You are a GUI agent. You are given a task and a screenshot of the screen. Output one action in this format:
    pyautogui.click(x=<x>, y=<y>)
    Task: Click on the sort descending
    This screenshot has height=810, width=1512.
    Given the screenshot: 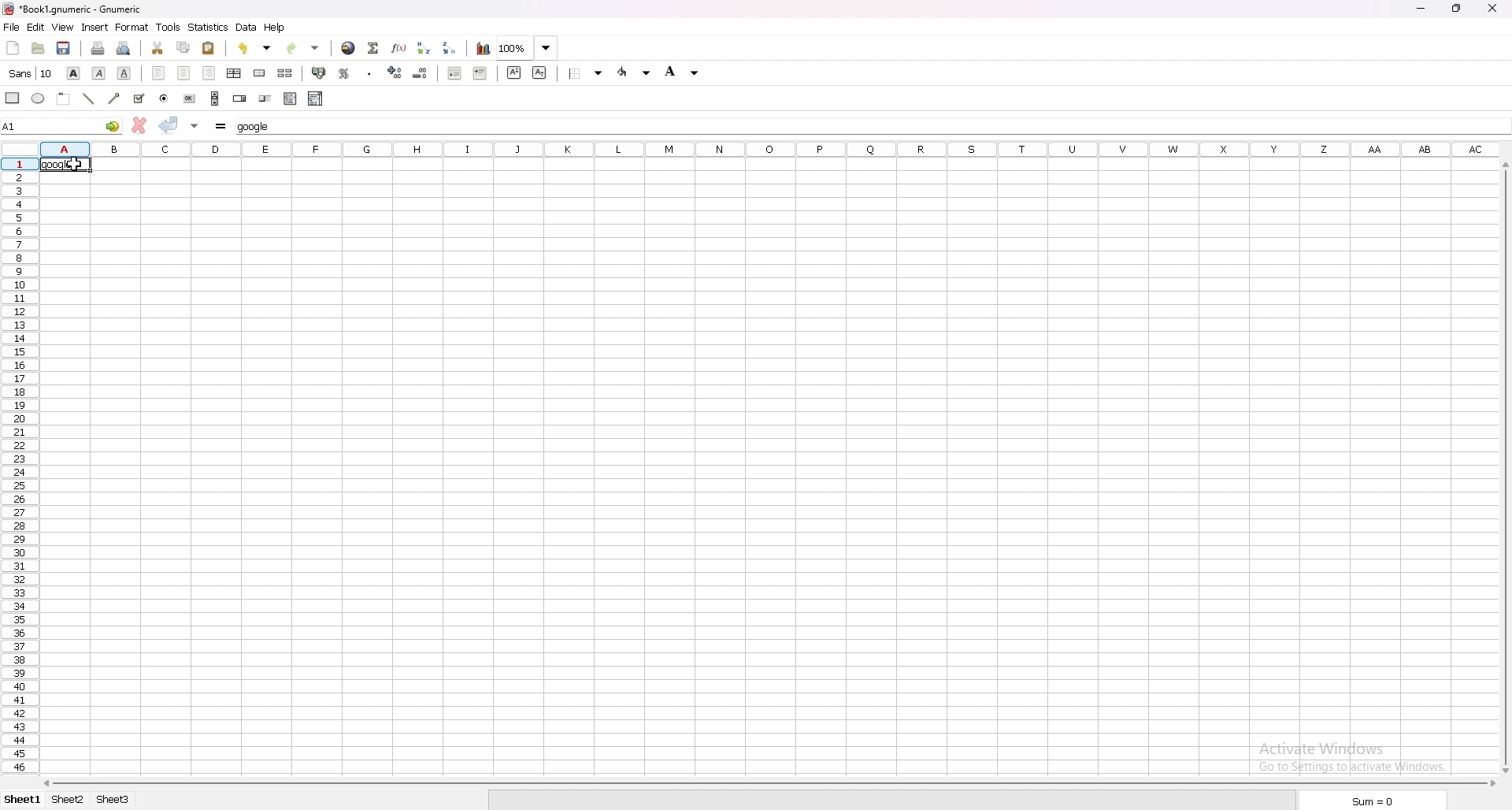 What is the action you would take?
    pyautogui.click(x=450, y=47)
    